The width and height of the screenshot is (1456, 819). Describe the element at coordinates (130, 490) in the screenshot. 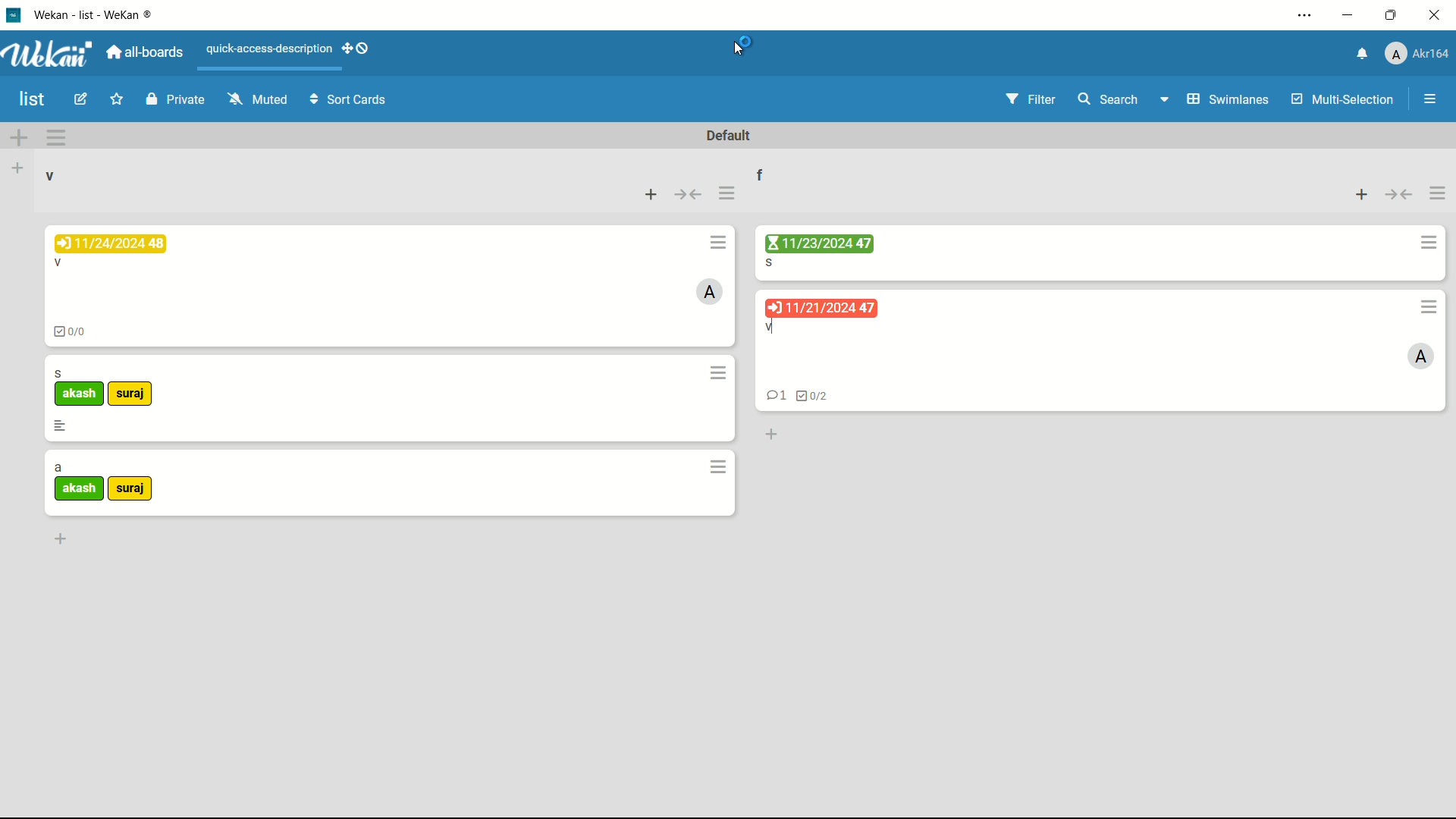

I see `label-2` at that location.